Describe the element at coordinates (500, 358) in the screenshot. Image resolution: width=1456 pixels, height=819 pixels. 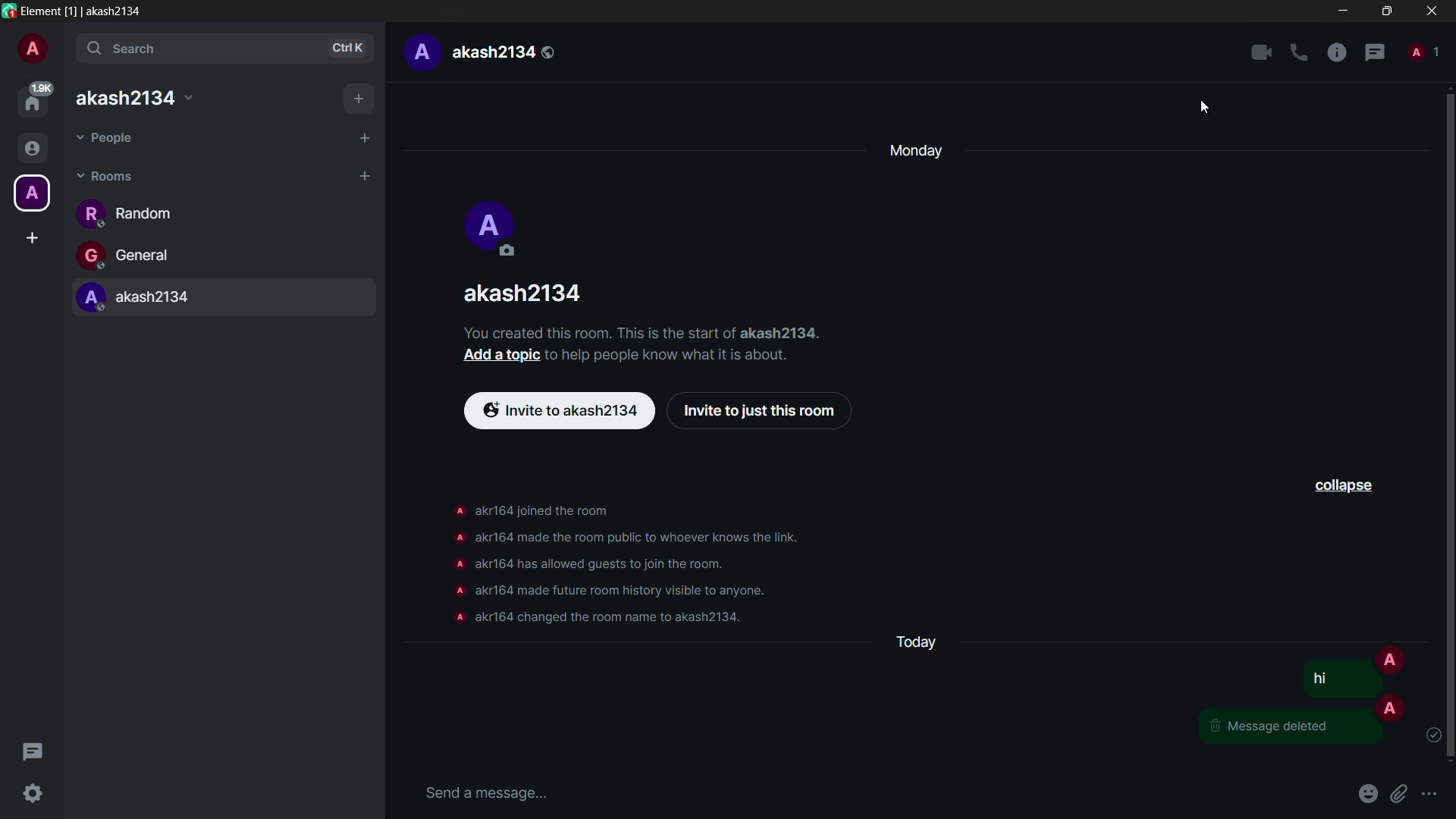
I see `add a topic` at that location.